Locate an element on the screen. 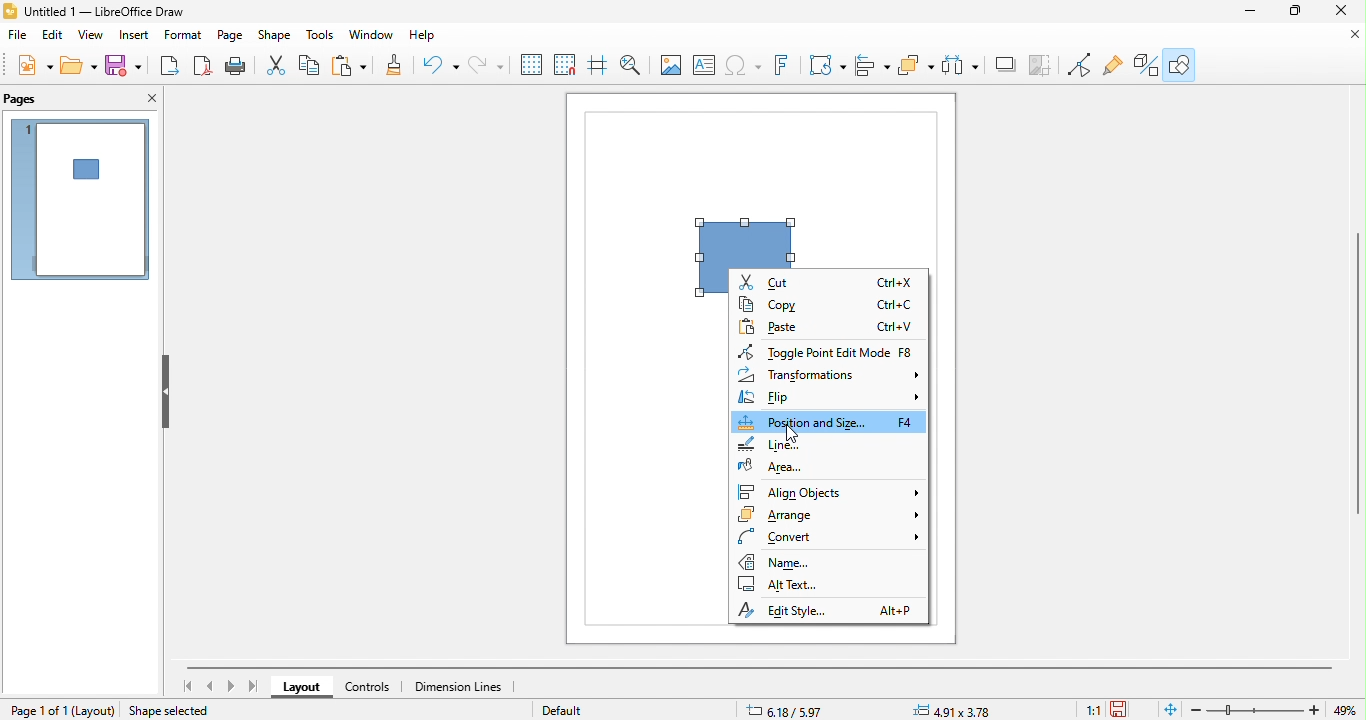  edit is located at coordinates (52, 35).